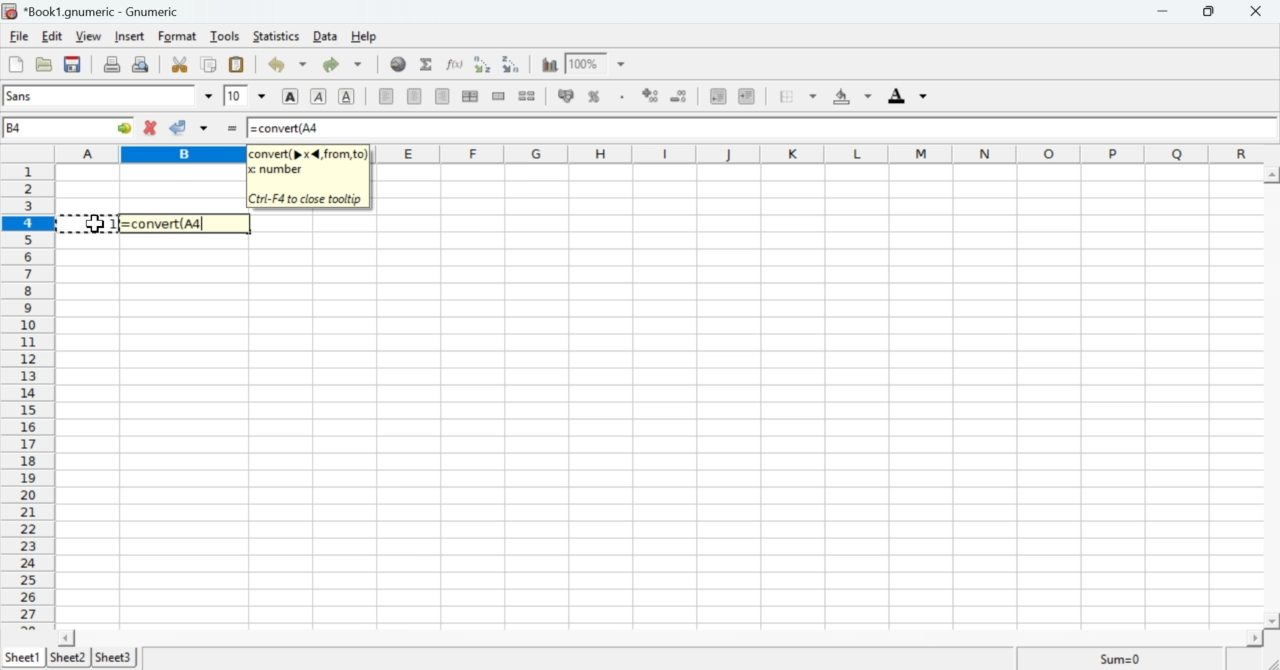 The width and height of the screenshot is (1280, 670). What do you see at coordinates (661, 152) in the screenshot?
I see `Alphabets row` at bounding box center [661, 152].